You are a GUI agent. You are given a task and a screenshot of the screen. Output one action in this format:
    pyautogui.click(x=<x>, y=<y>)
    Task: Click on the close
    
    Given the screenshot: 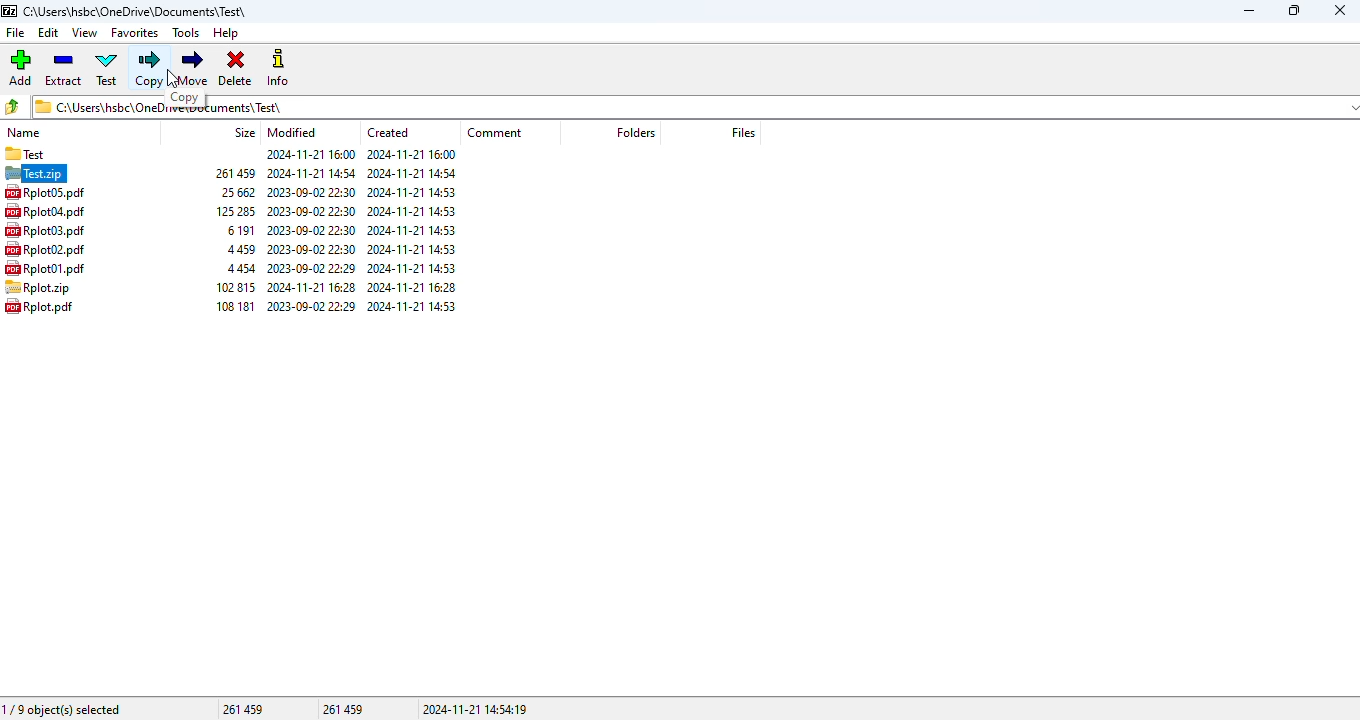 What is the action you would take?
    pyautogui.click(x=1340, y=10)
    